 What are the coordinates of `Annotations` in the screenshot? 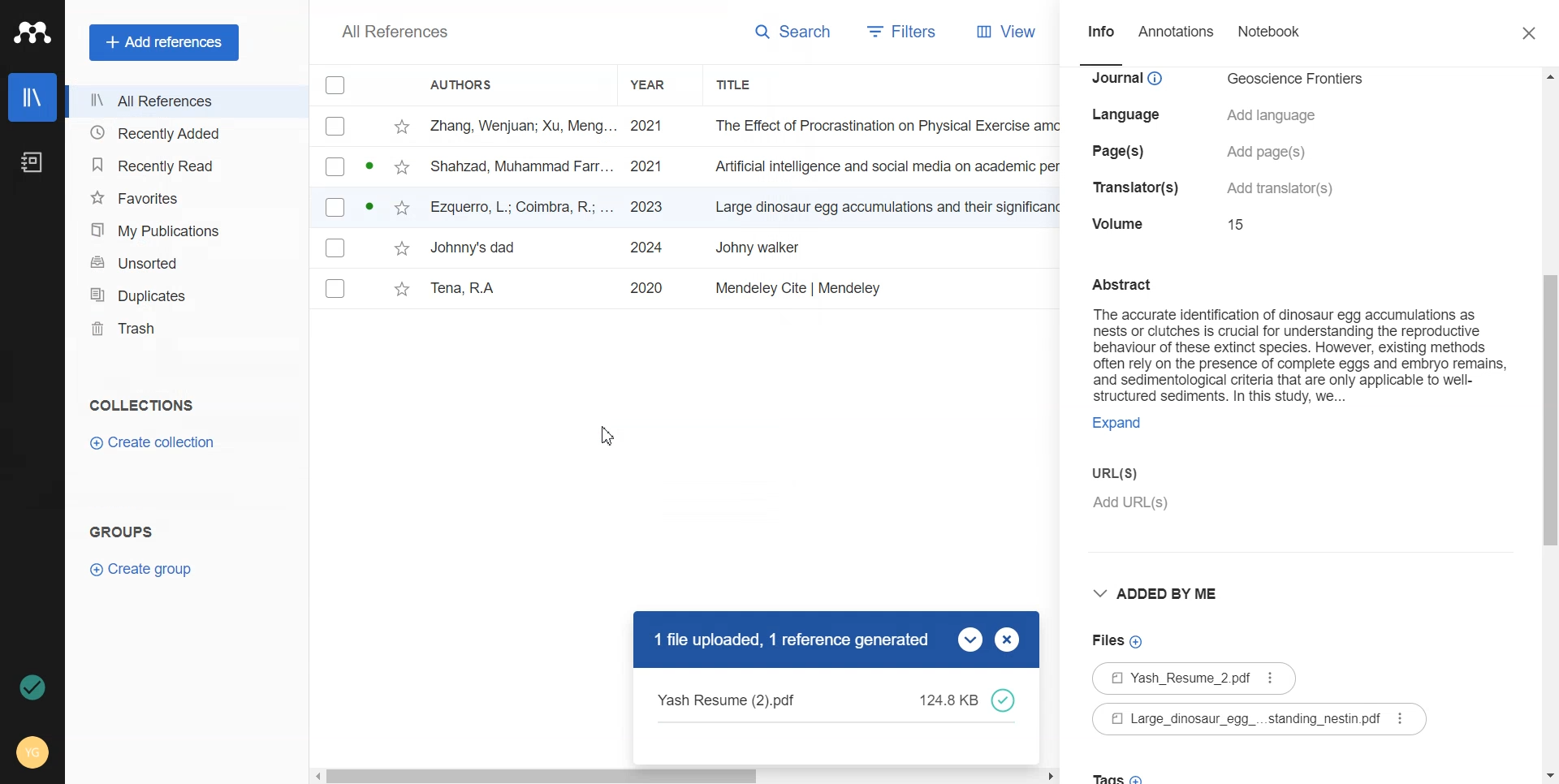 It's located at (1178, 33).